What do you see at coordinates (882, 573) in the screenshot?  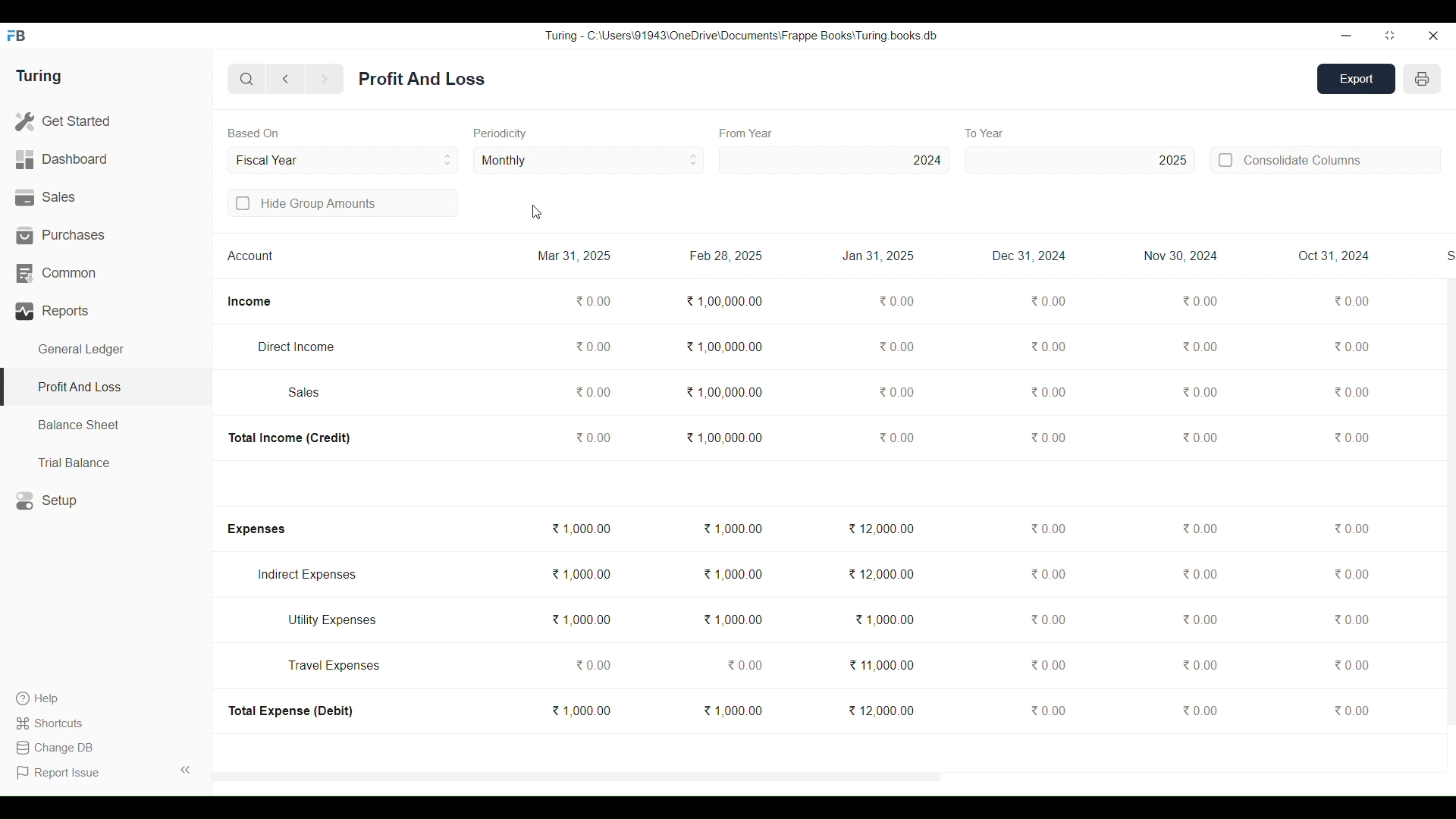 I see `12,000.00` at bounding box center [882, 573].